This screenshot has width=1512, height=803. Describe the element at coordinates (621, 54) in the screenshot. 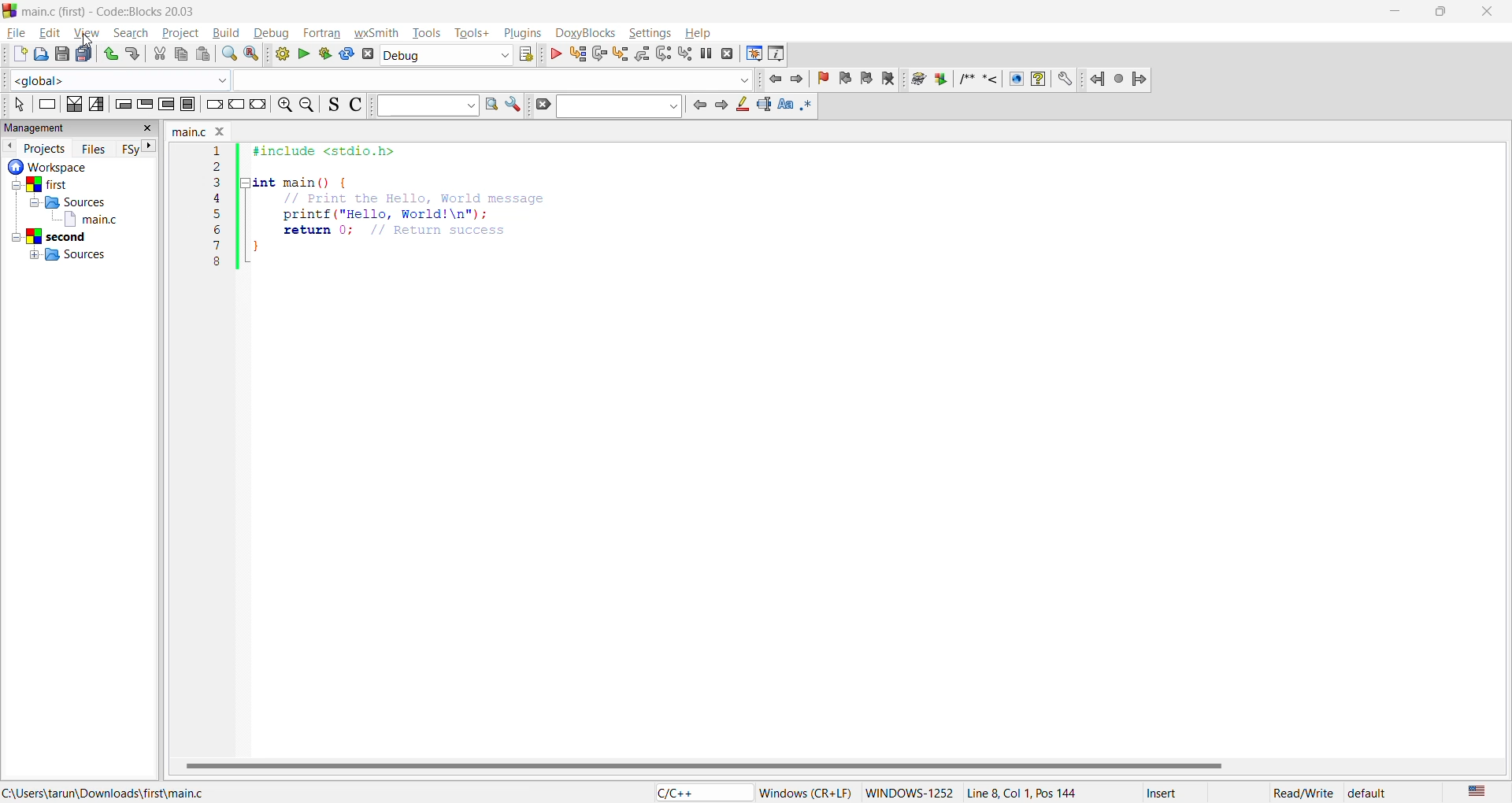

I see `step into` at that location.